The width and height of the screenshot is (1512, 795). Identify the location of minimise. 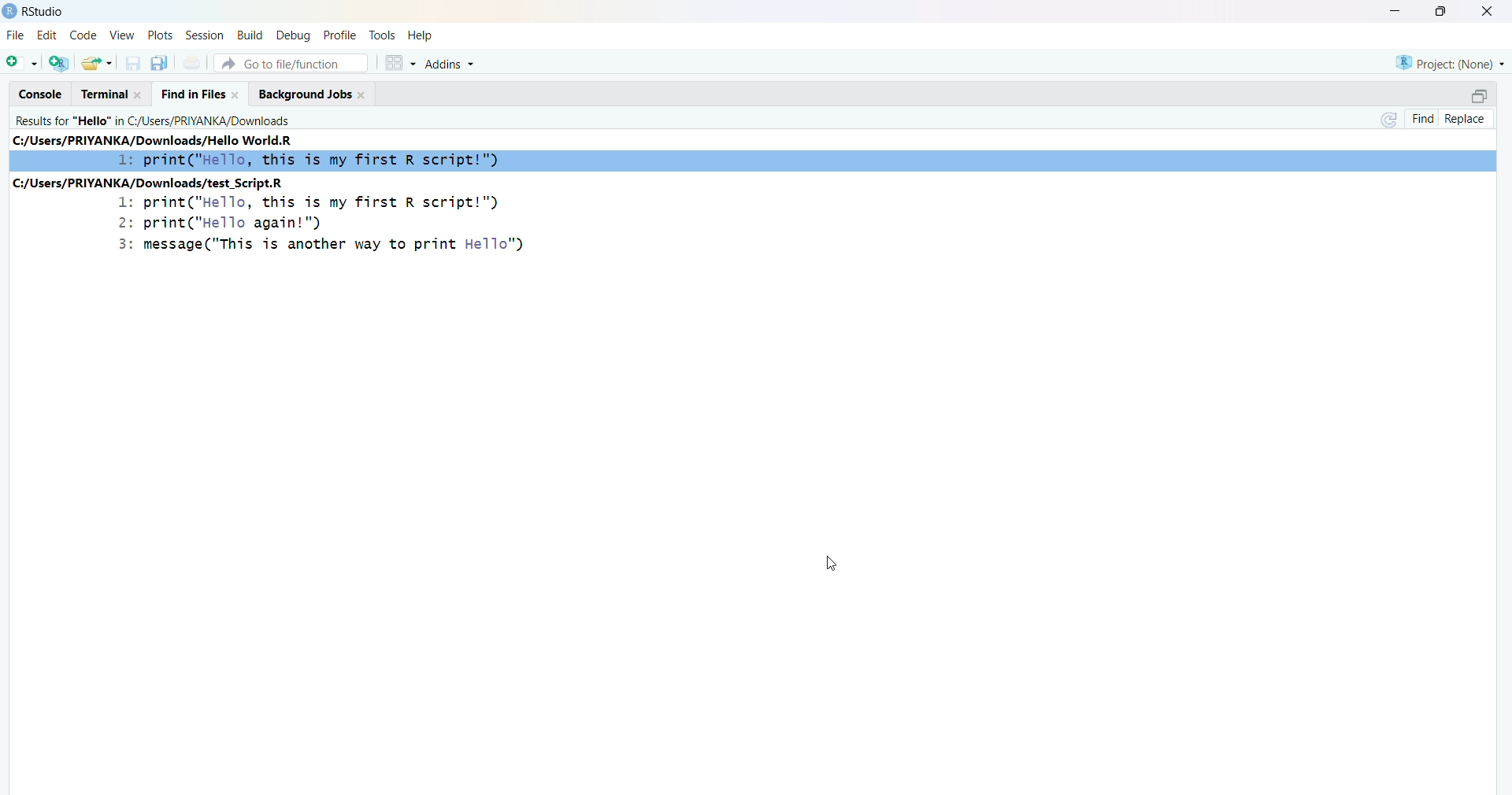
(1397, 9).